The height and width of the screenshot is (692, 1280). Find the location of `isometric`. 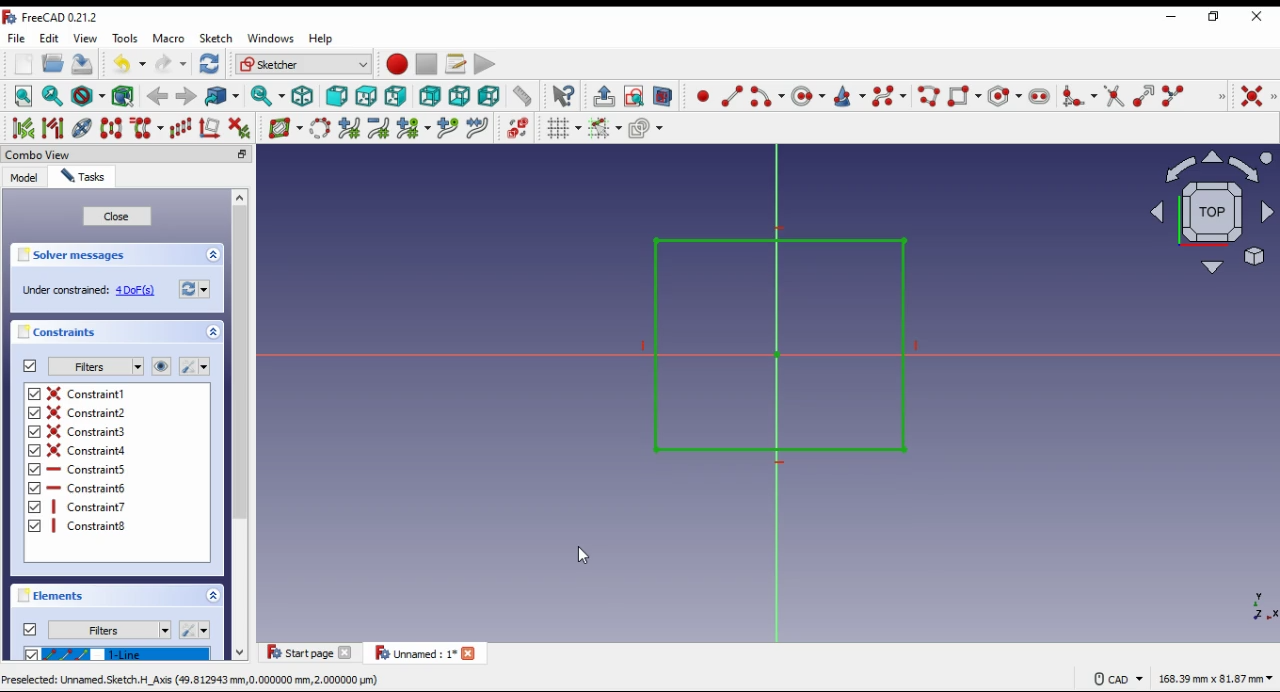

isometric is located at coordinates (303, 96).